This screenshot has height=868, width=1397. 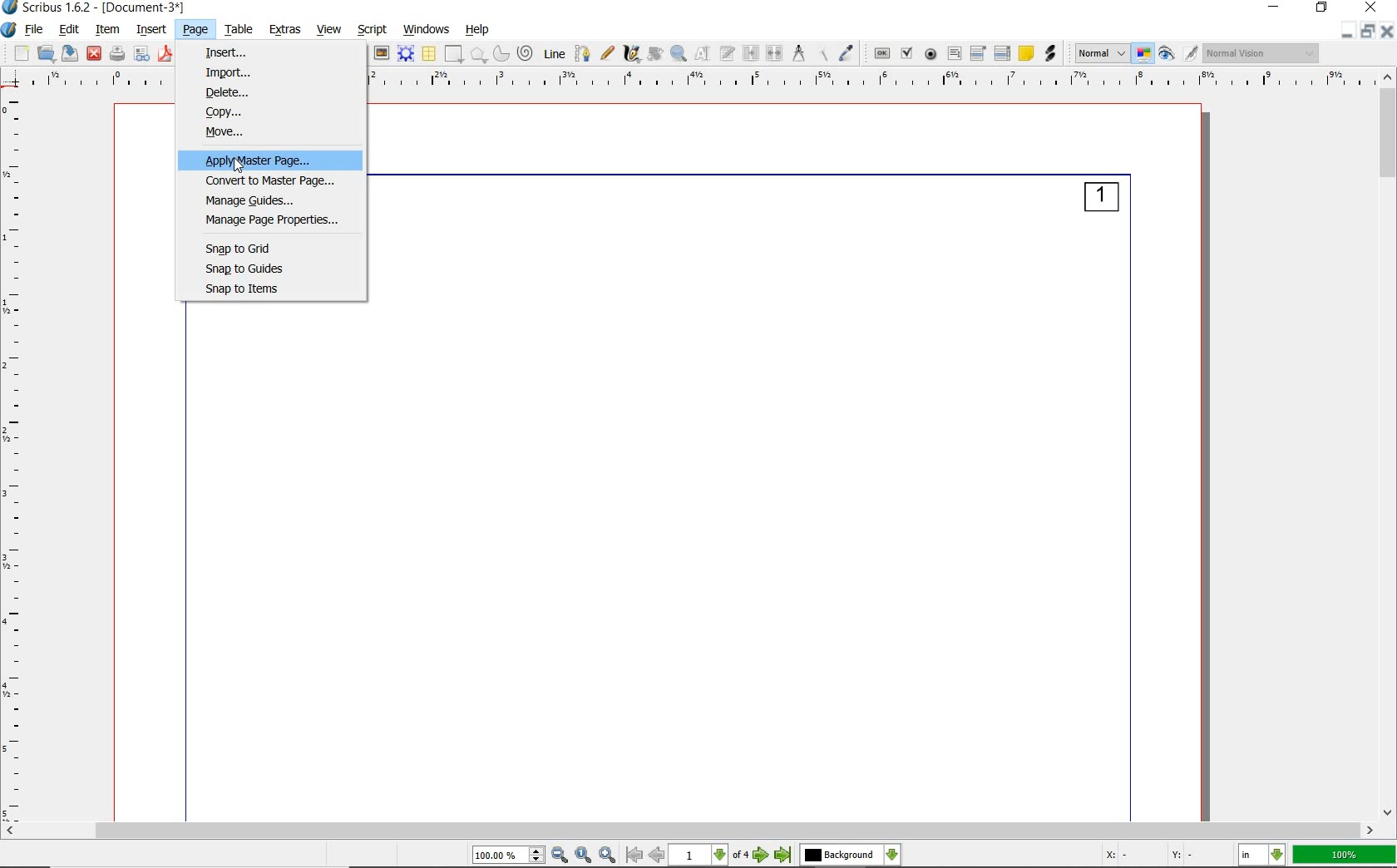 I want to click on file, so click(x=36, y=30).